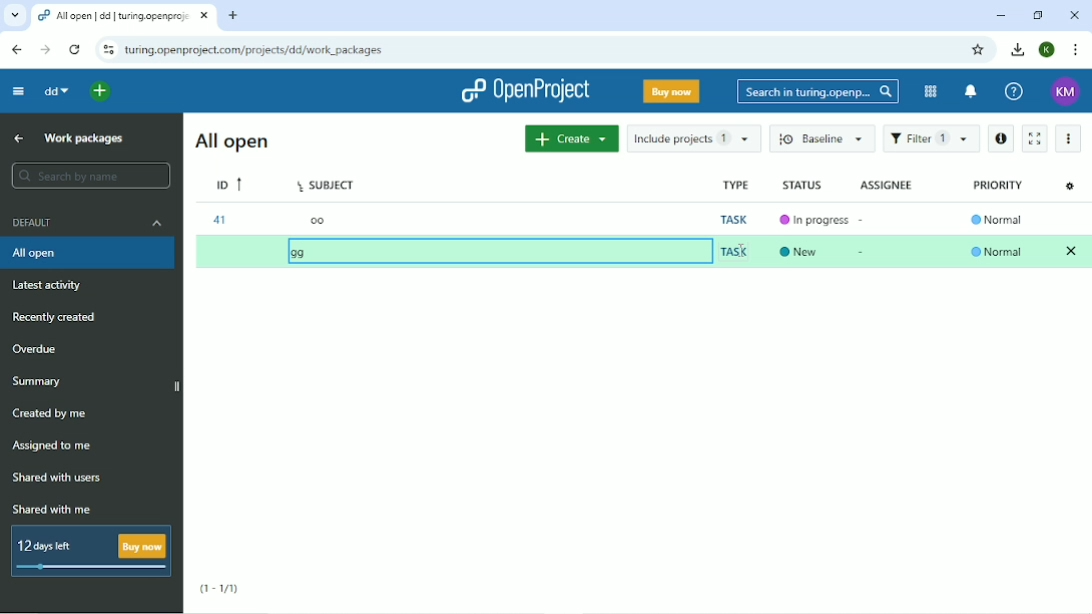  I want to click on Close, so click(1074, 14).